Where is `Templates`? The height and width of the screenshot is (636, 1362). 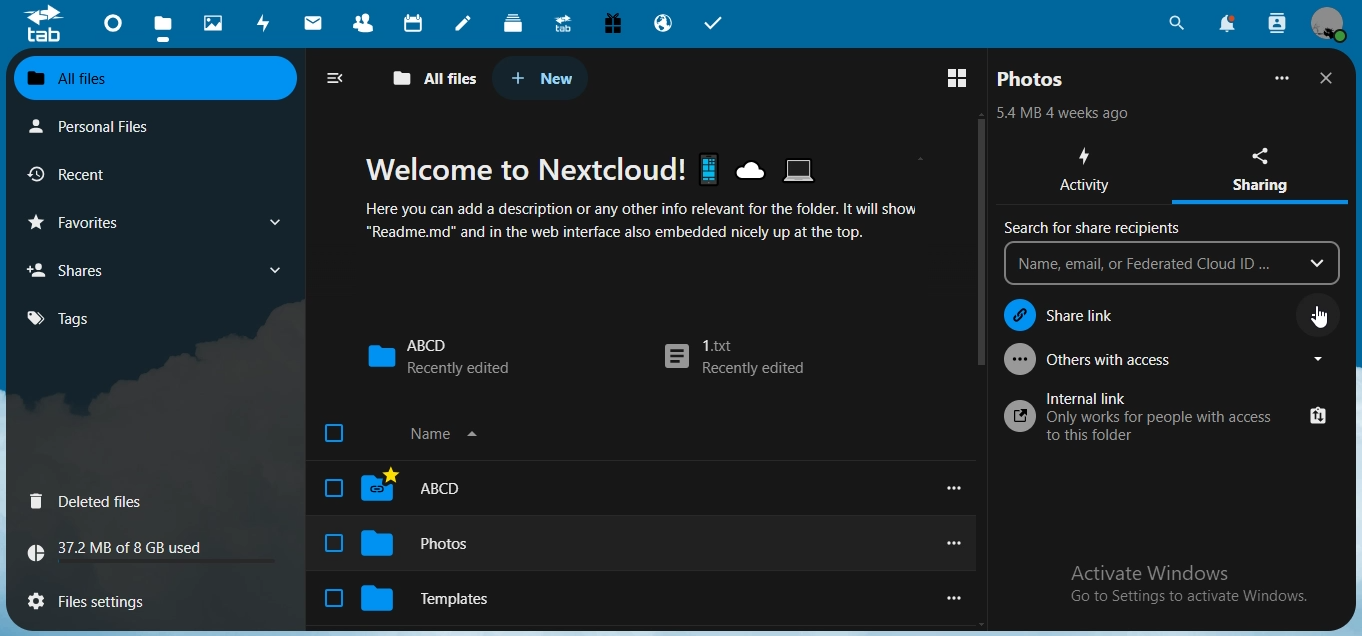
Templates is located at coordinates (435, 598).